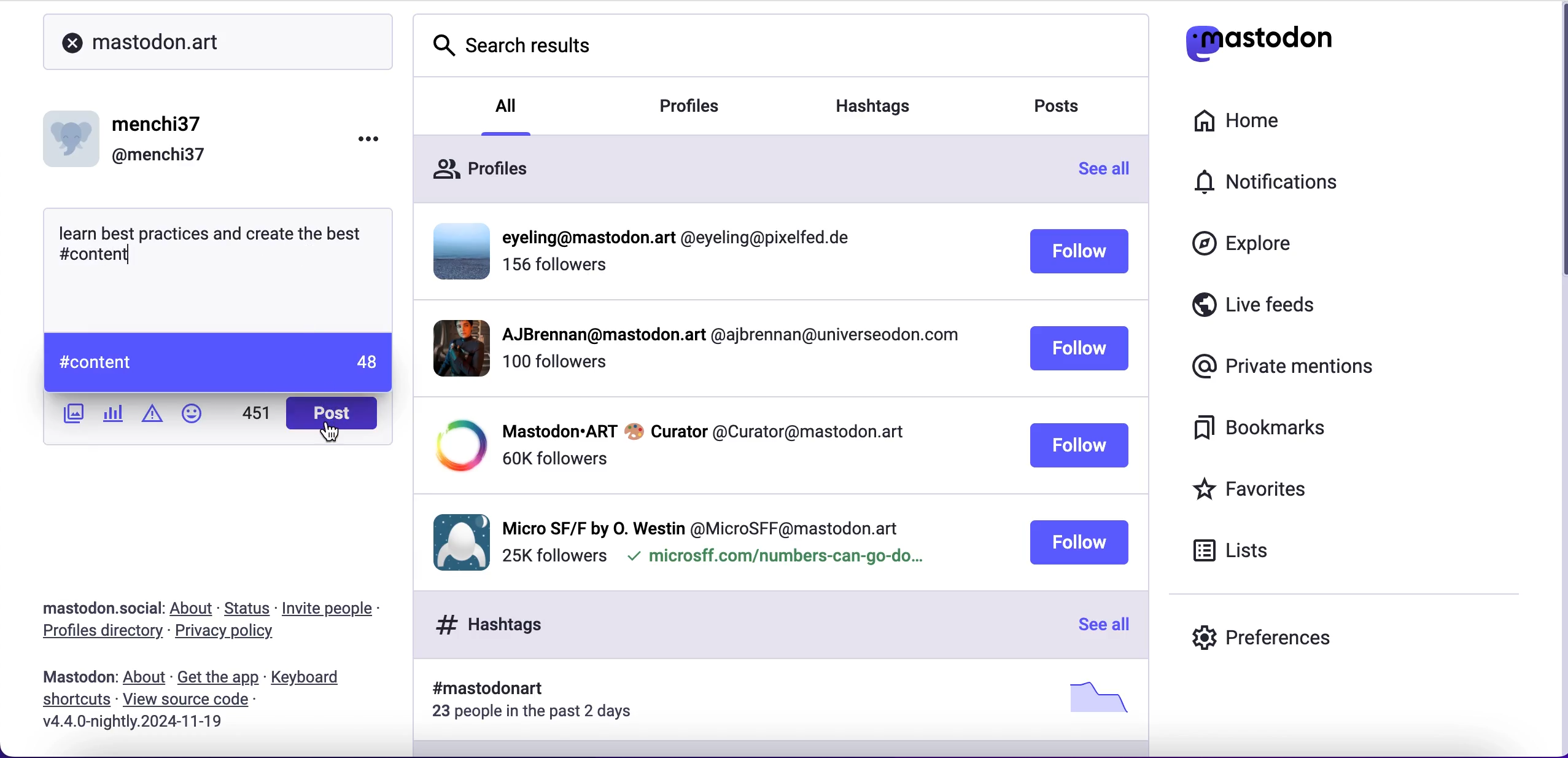 The image size is (1568, 758). I want to click on follow, so click(1079, 446).